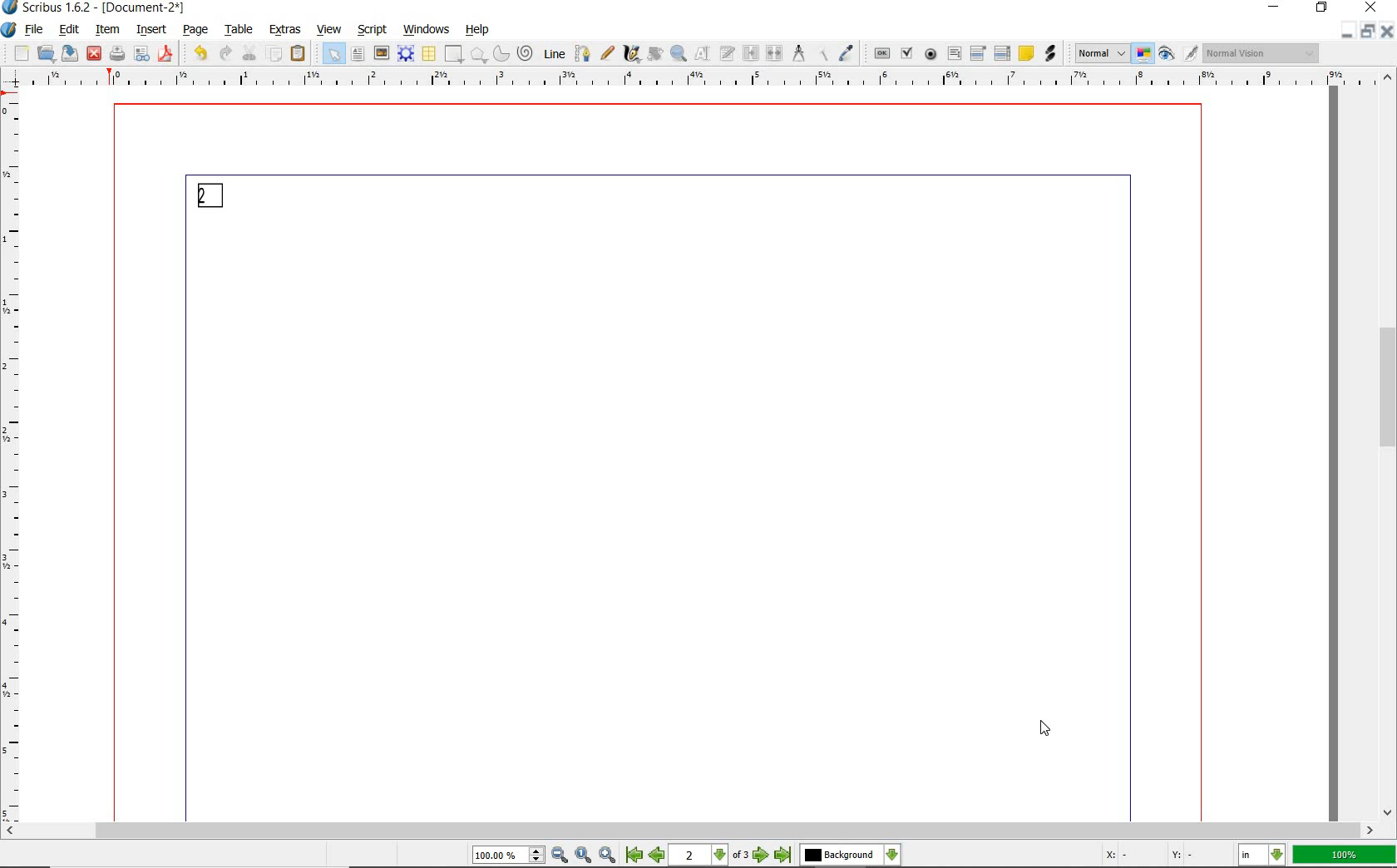 This screenshot has height=868, width=1397. I want to click on render frame, so click(406, 52).